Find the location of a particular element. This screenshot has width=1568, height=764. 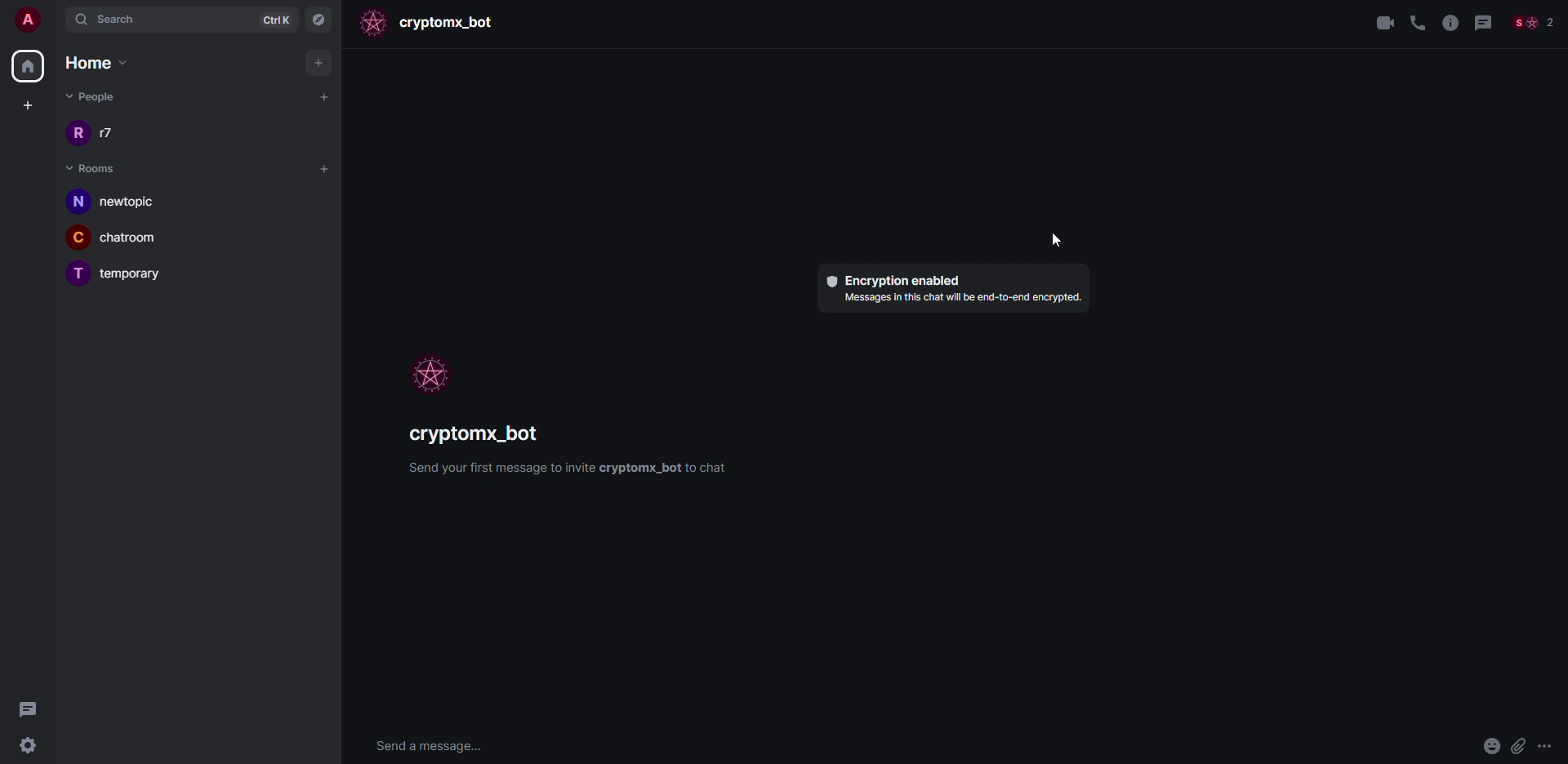

cursor is located at coordinates (1057, 235).